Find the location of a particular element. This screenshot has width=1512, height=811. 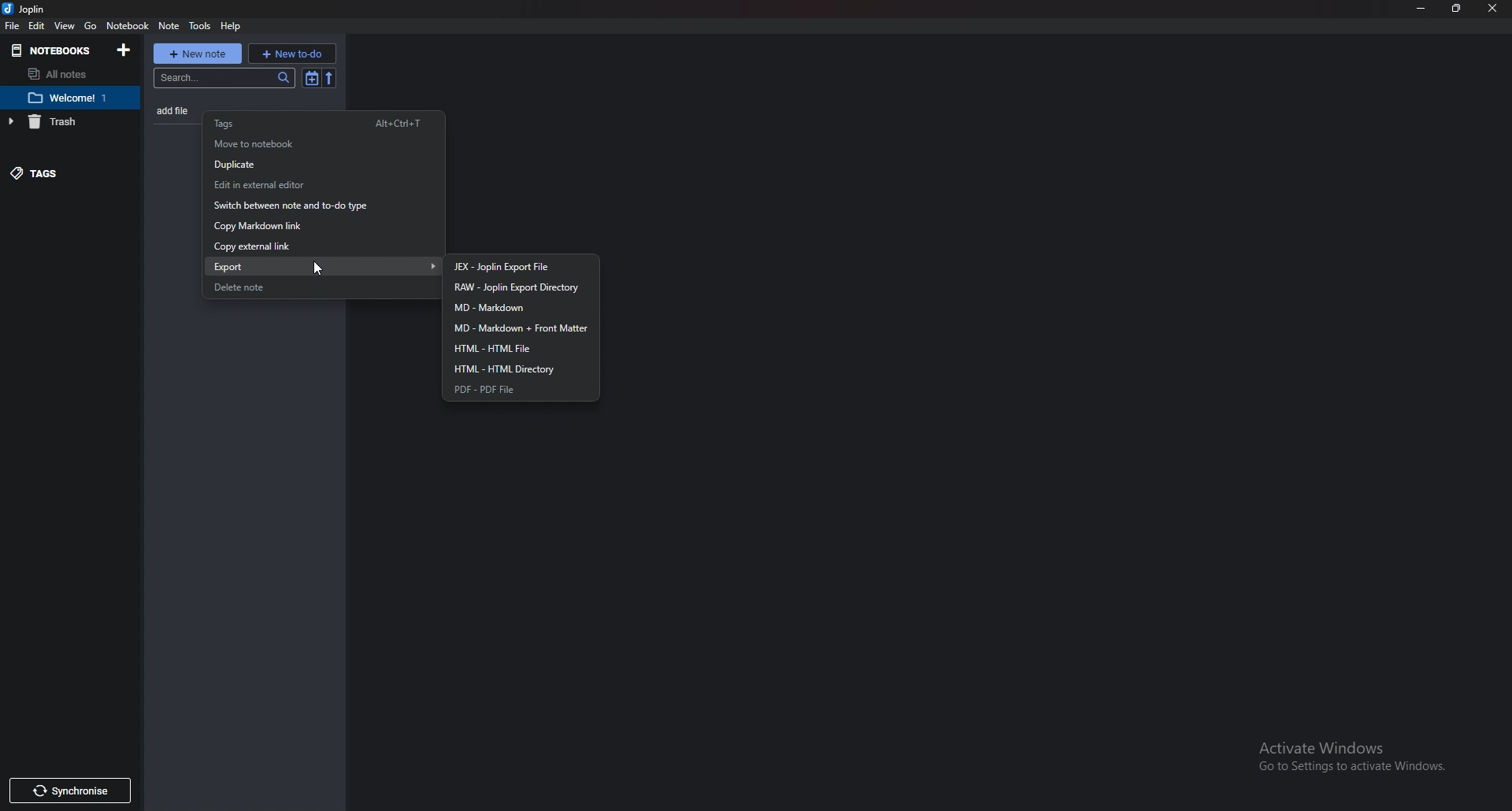

Activate Windows
Go to Settings to activate Windows. is located at coordinates (1358, 757).